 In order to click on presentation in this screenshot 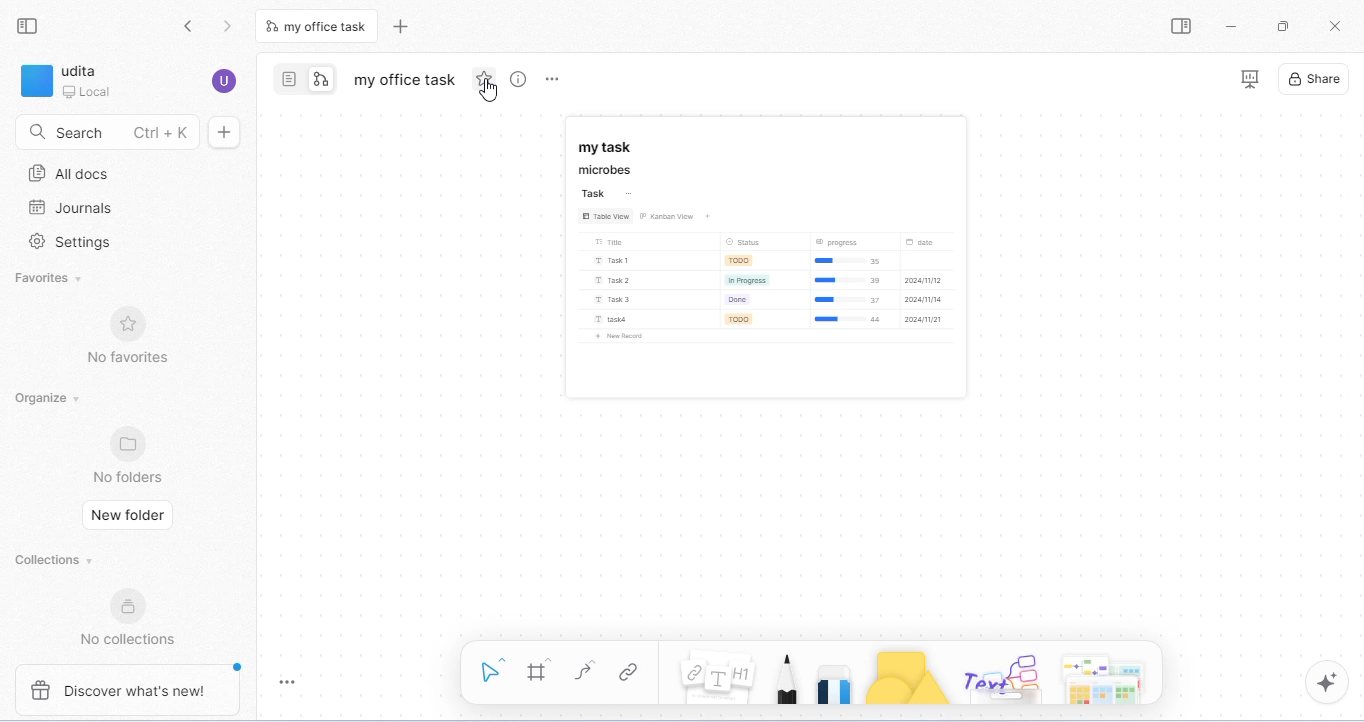, I will do `click(1249, 81)`.